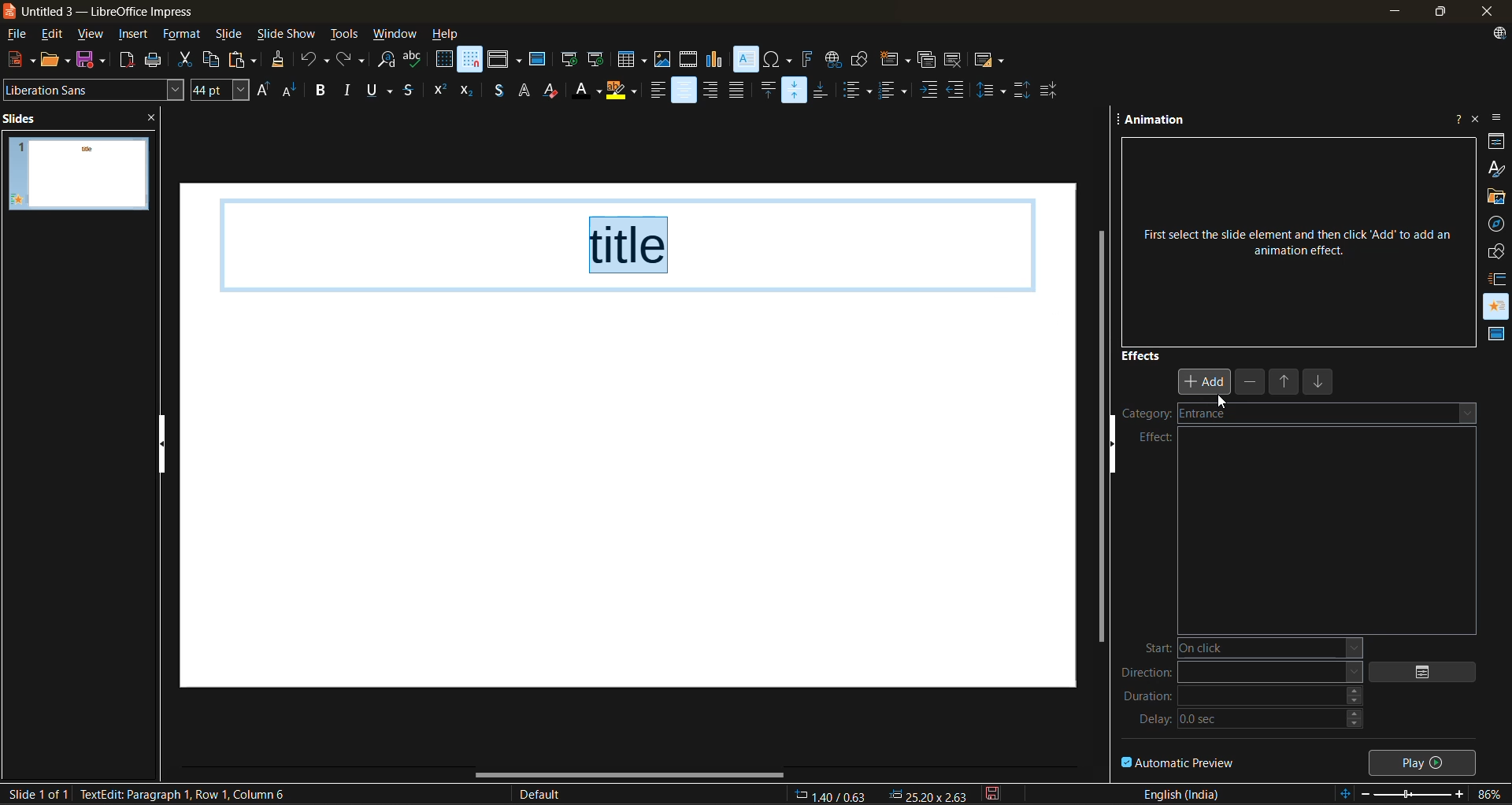 The width and height of the screenshot is (1512, 805). What do you see at coordinates (1502, 35) in the screenshot?
I see `update` at bounding box center [1502, 35].